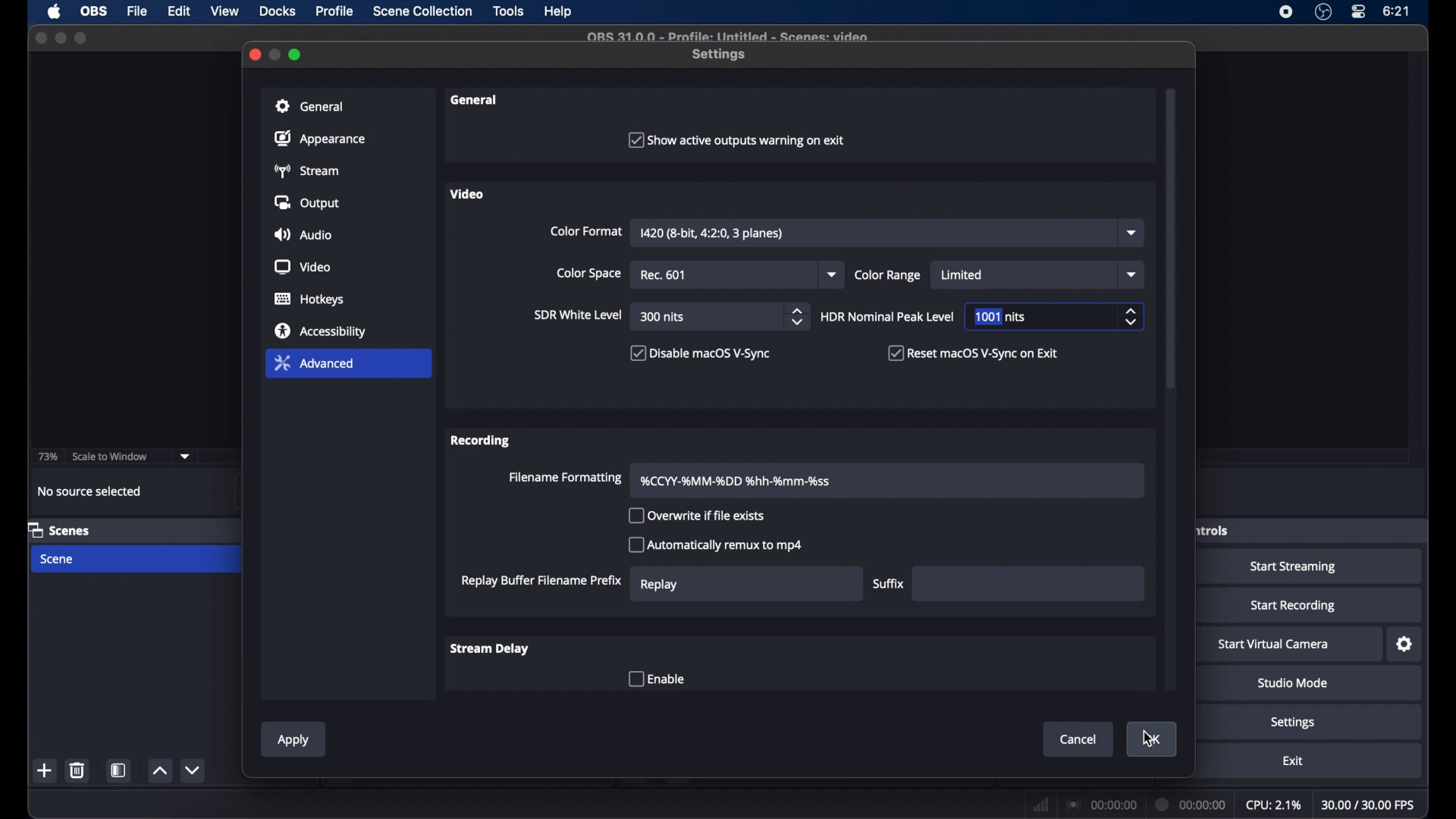 This screenshot has height=819, width=1456. Describe the element at coordinates (467, 194) in the screenshot. I see `video` at that location.